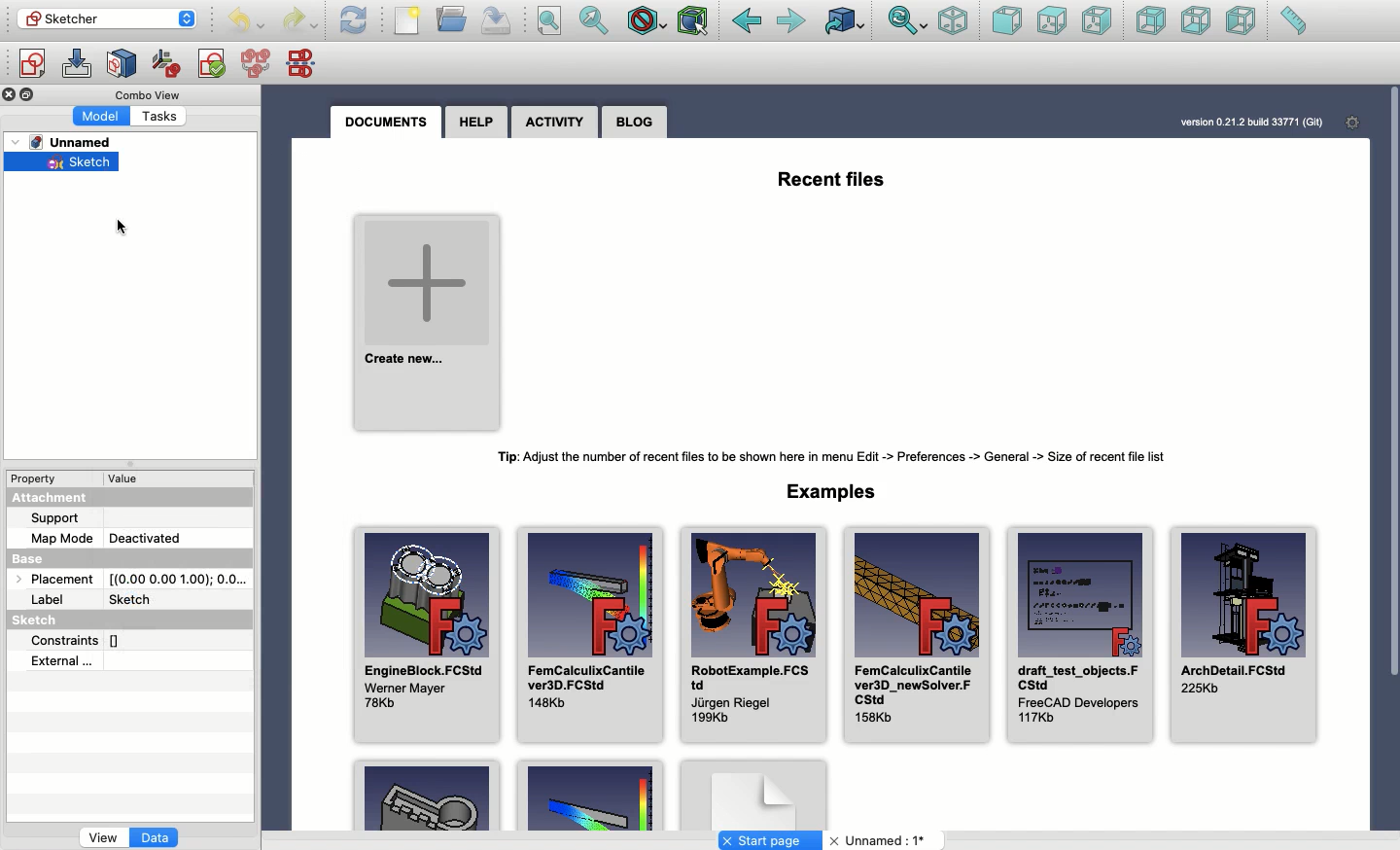 The width and height of the screenshot is (1400, 850). What do you see at coordinates (747, 21) in the screenshot?
I see `Back` at bounding box center [747, 21].